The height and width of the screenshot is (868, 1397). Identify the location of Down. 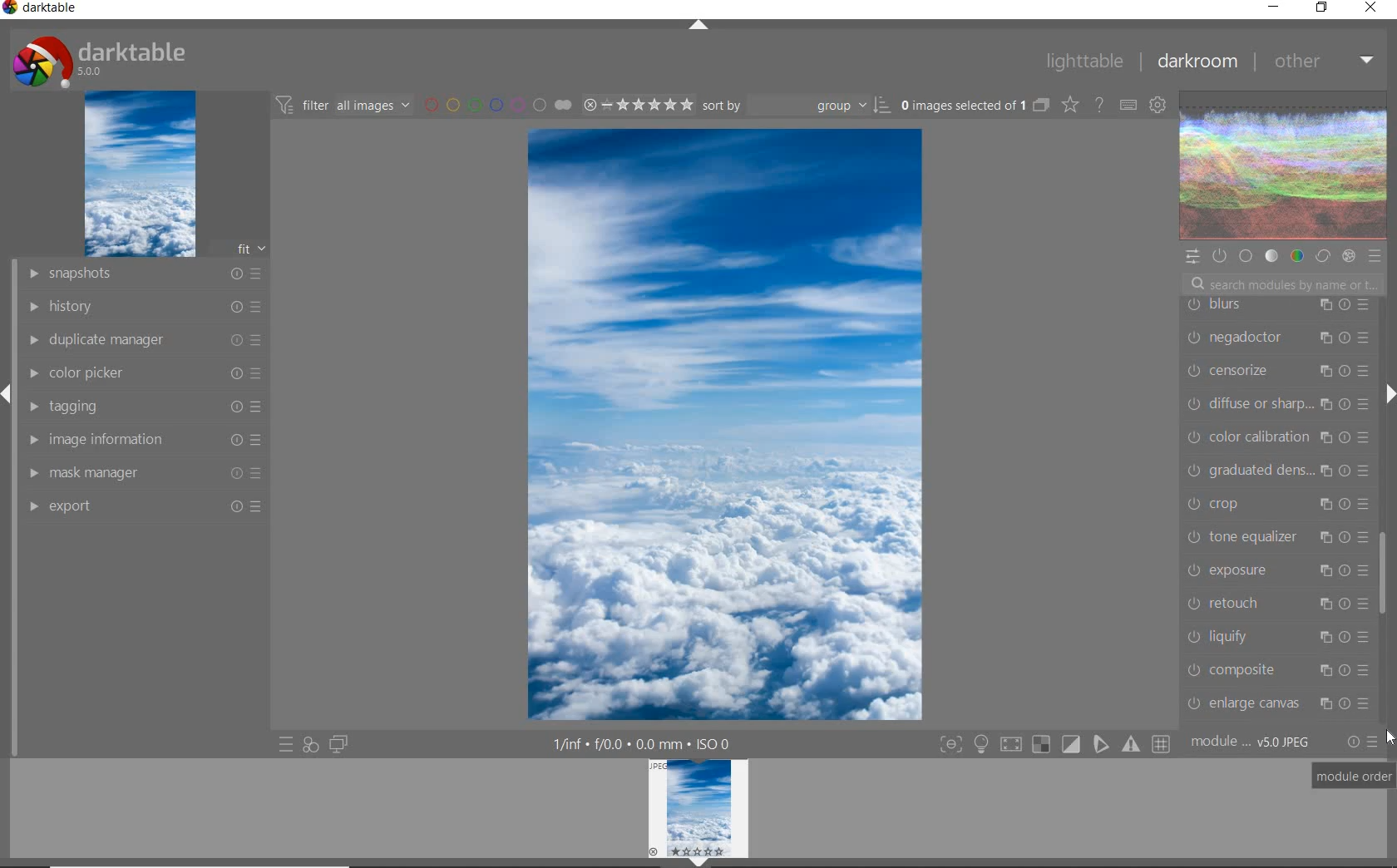
(699, 862).